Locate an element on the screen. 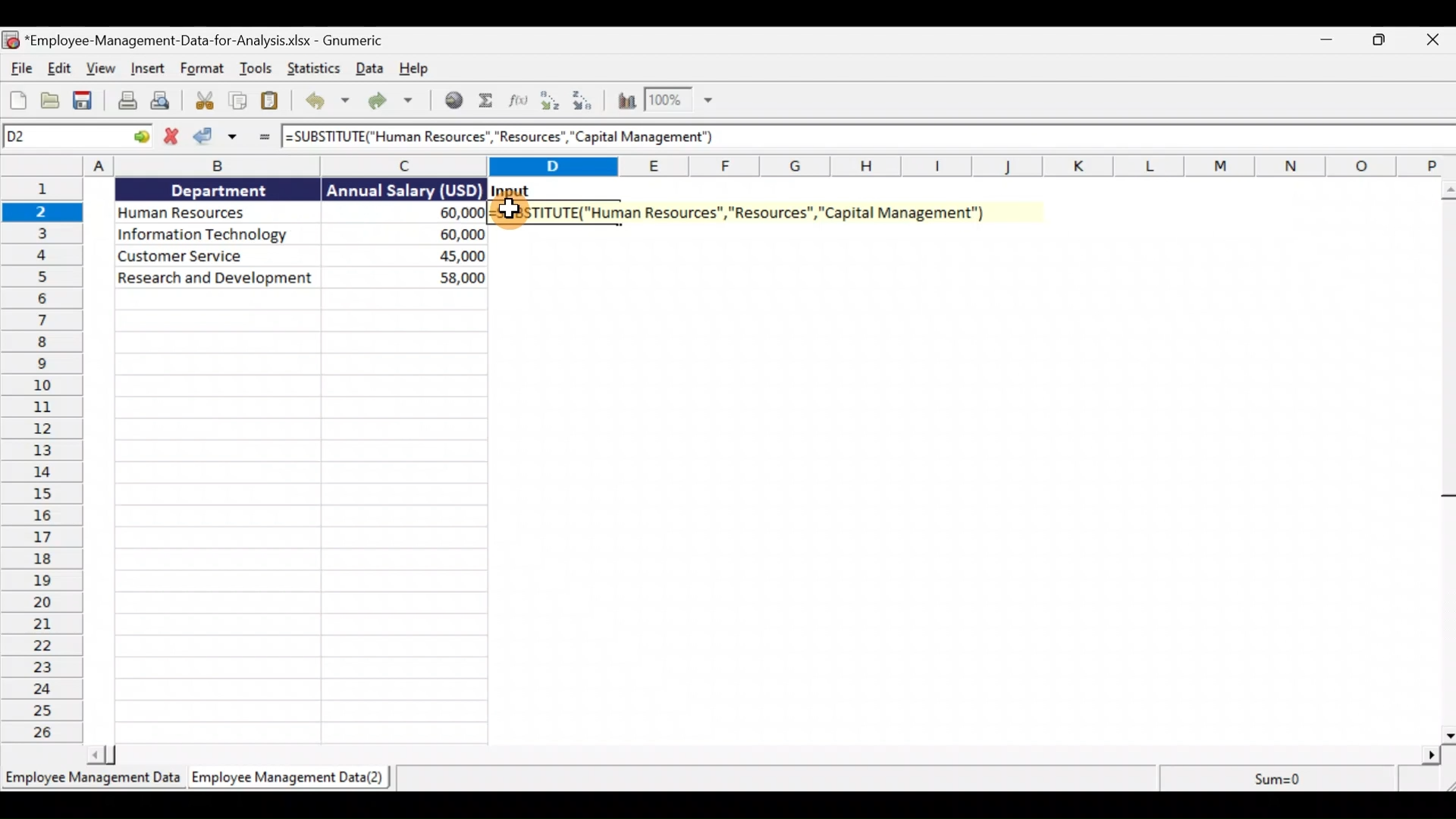 The width and height of the screenshot is (1456, 819). Edit is located at coordinates (61, 68).